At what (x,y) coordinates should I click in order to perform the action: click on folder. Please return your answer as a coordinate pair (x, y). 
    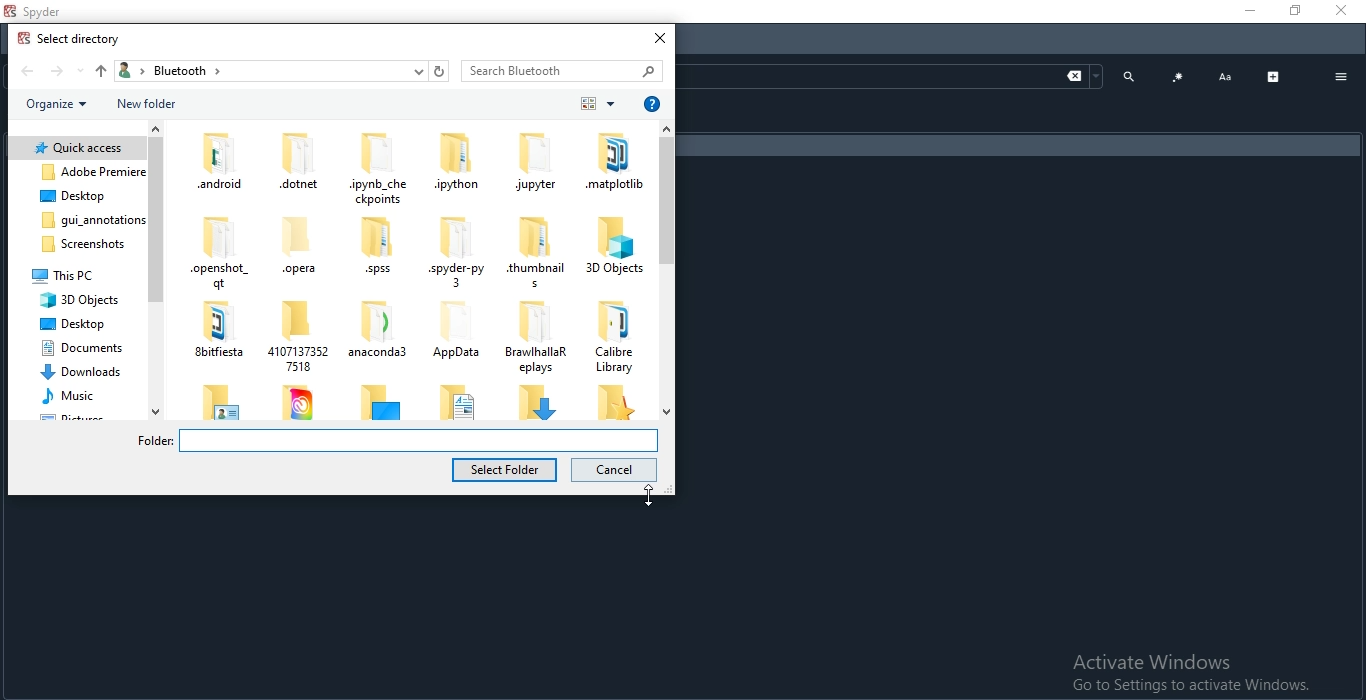
    Looking at the image, I should click on (392, 440).